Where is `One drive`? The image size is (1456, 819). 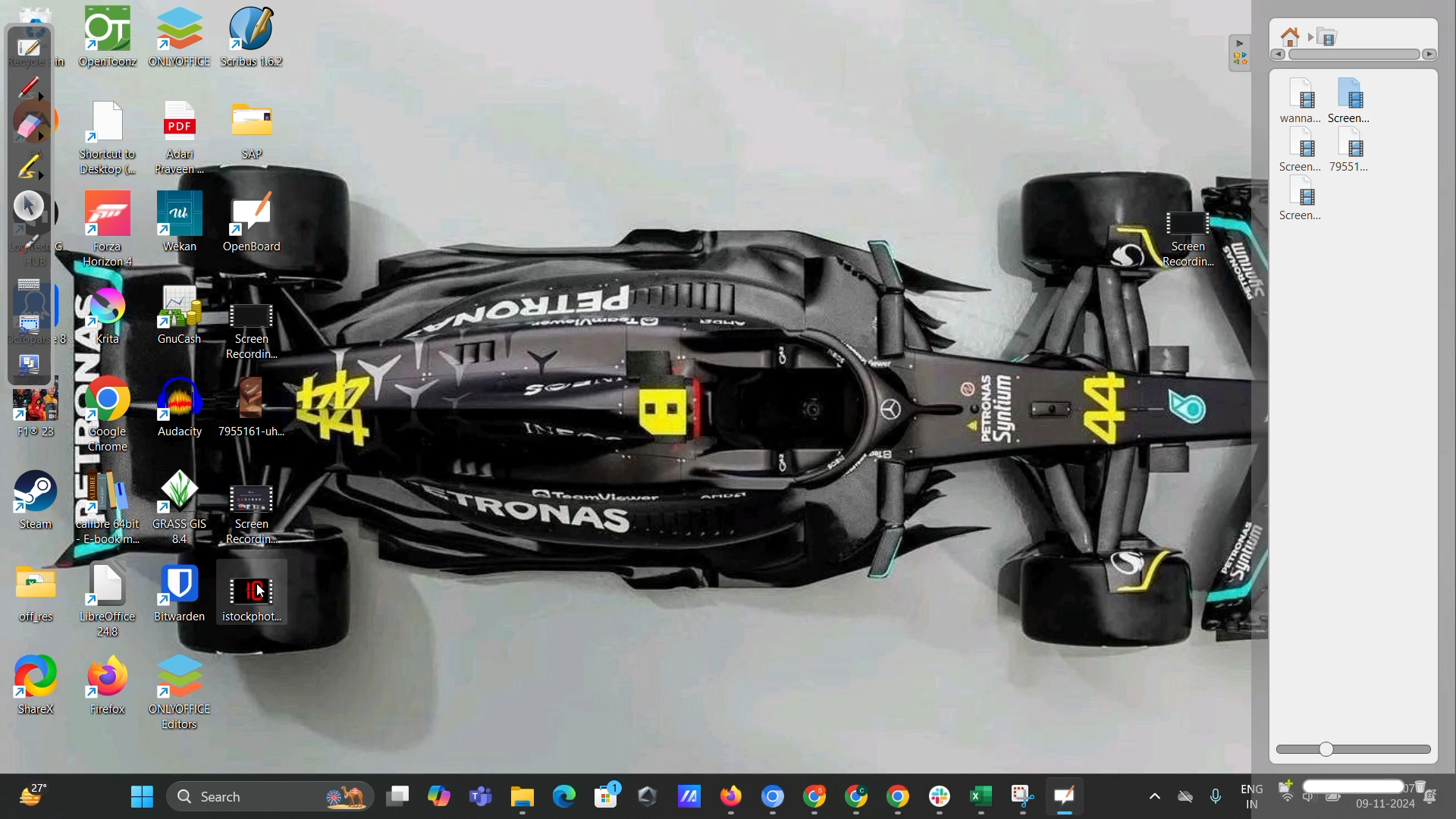
One drive is located at coordinates (1185, 798).